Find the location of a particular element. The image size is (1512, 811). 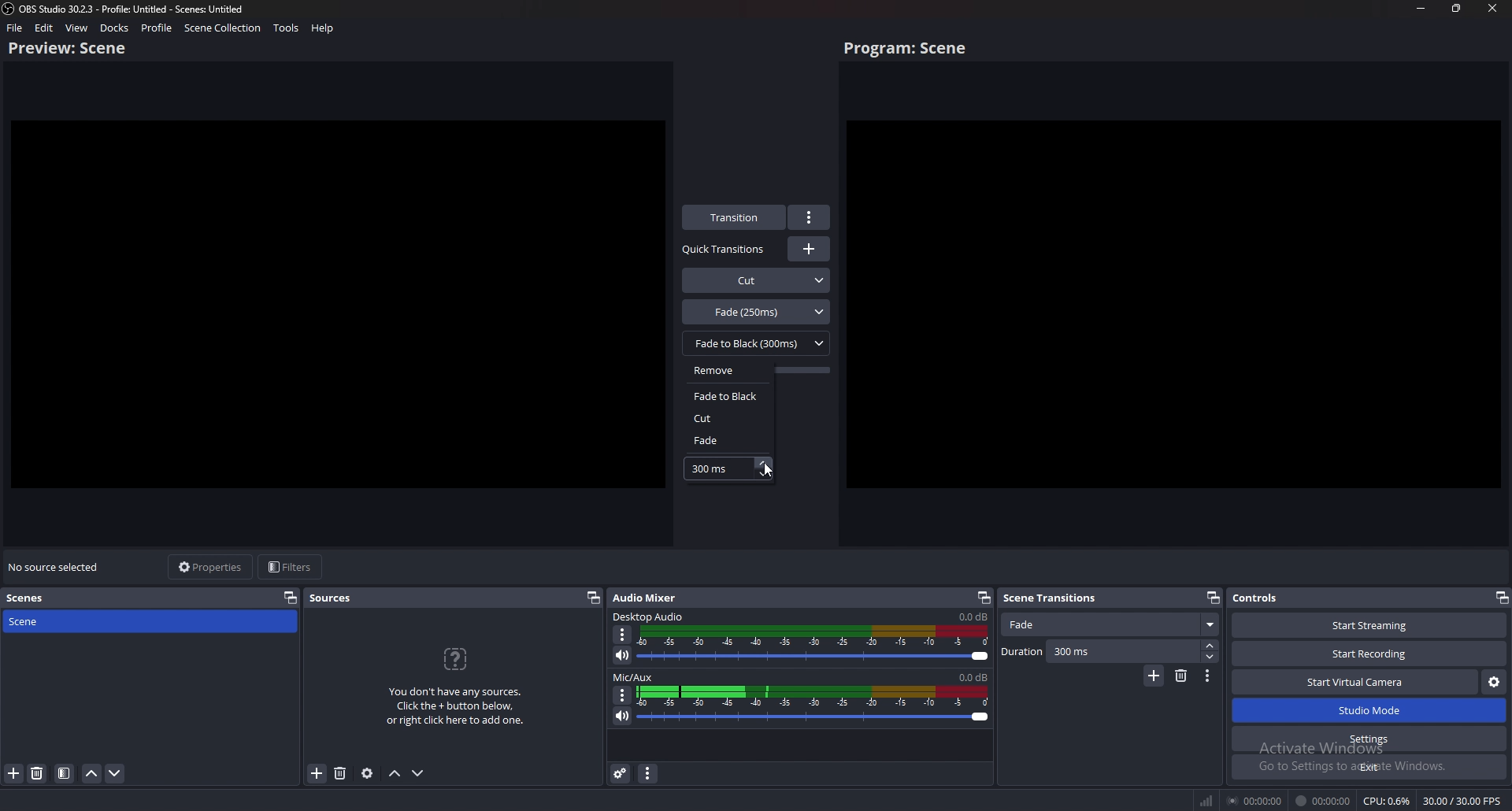

Desktop audio is located at coordinates (972, 617).